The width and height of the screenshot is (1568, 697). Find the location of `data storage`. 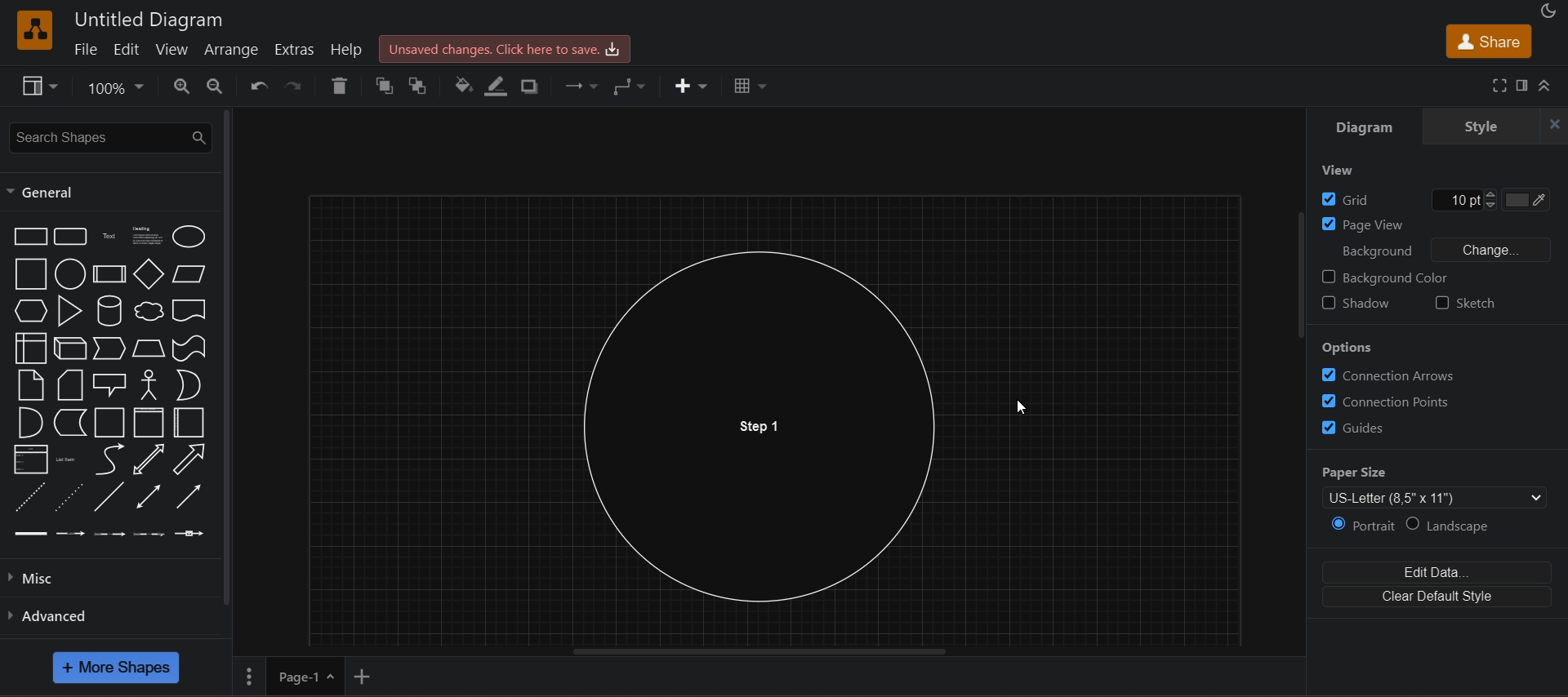

data storage is located at coordinates (72, 424).